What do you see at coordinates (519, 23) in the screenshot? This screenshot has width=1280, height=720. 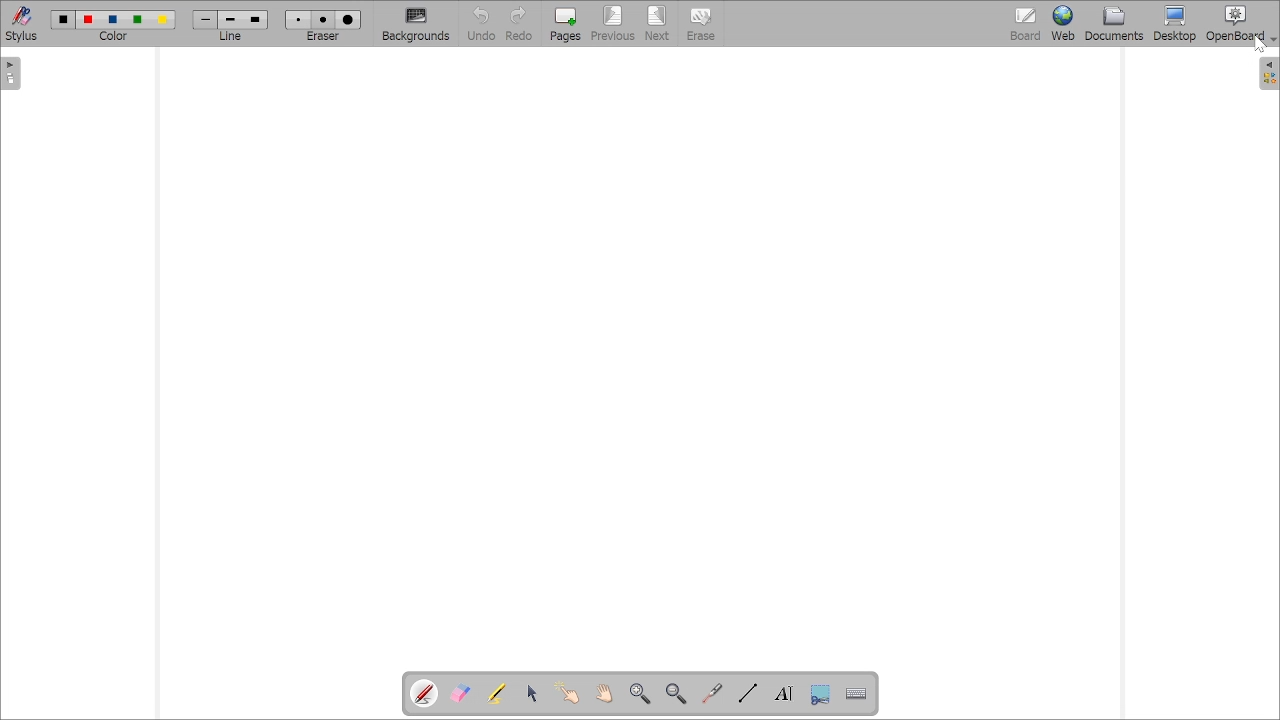 I see `Redo` at bounding box center [519, 23].